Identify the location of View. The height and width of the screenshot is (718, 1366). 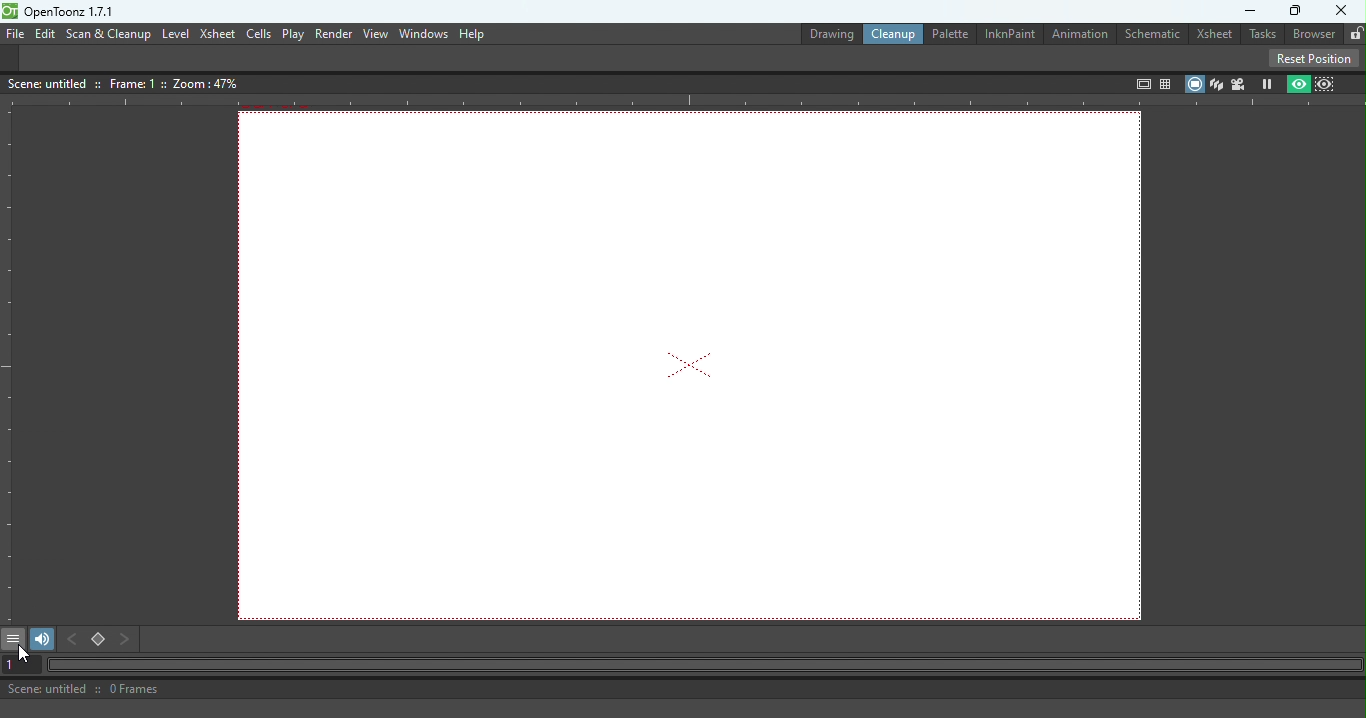
(375, 34).